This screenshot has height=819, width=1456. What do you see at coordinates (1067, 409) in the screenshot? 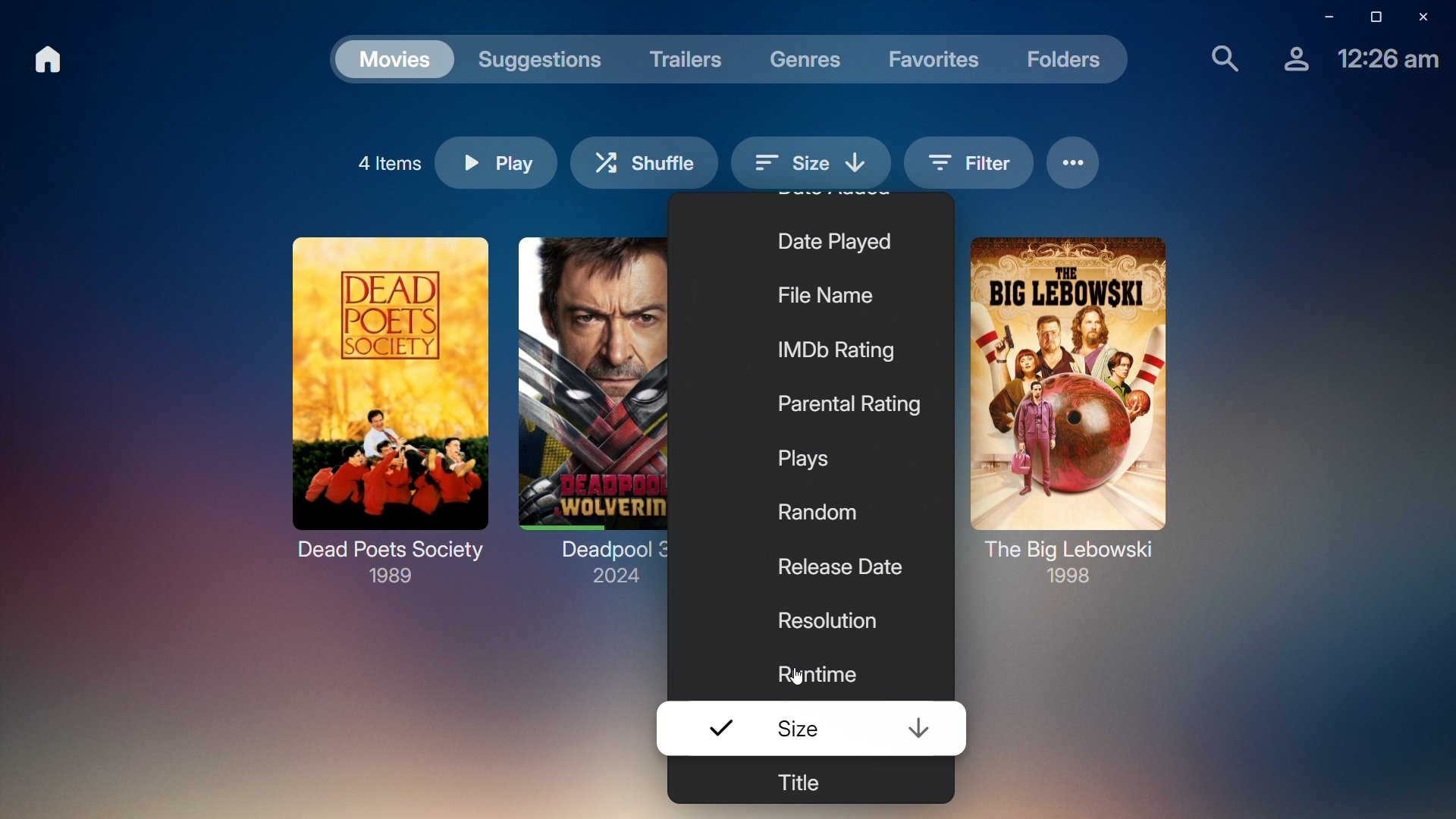
I see `The Big Lebowski ` at bounding box center [1067, 409].